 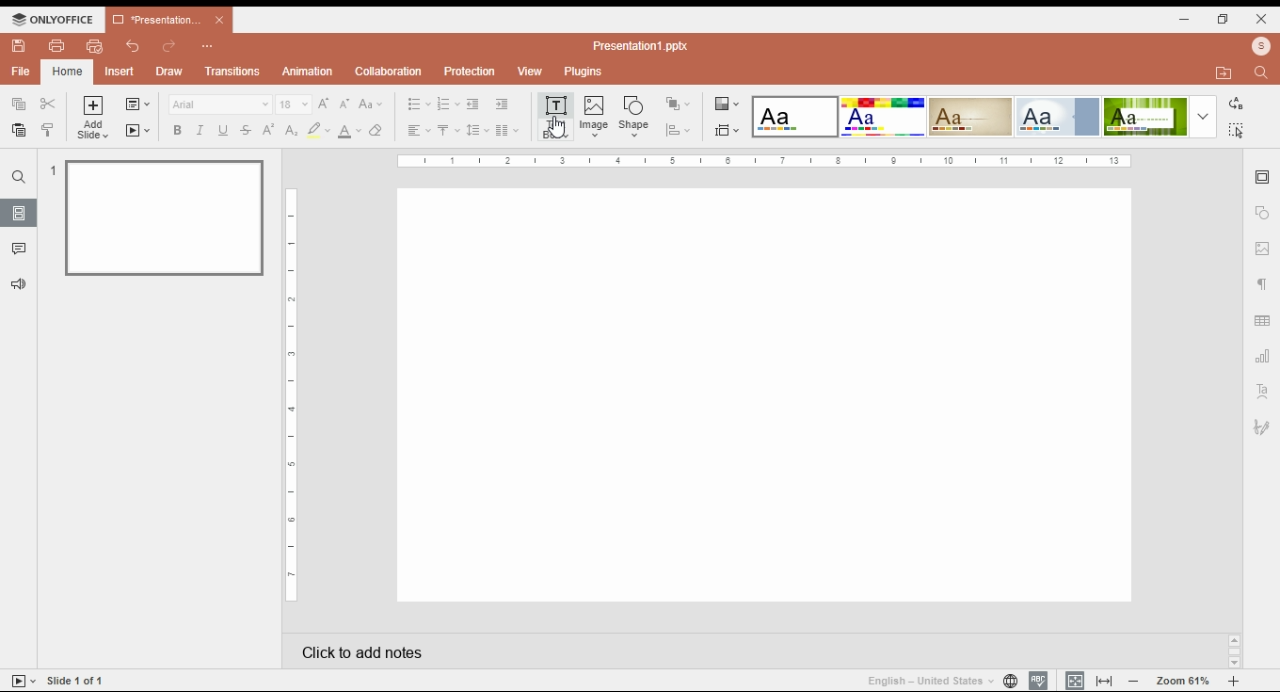 I want to click on *Presentation..., so click(x=152, y=19).